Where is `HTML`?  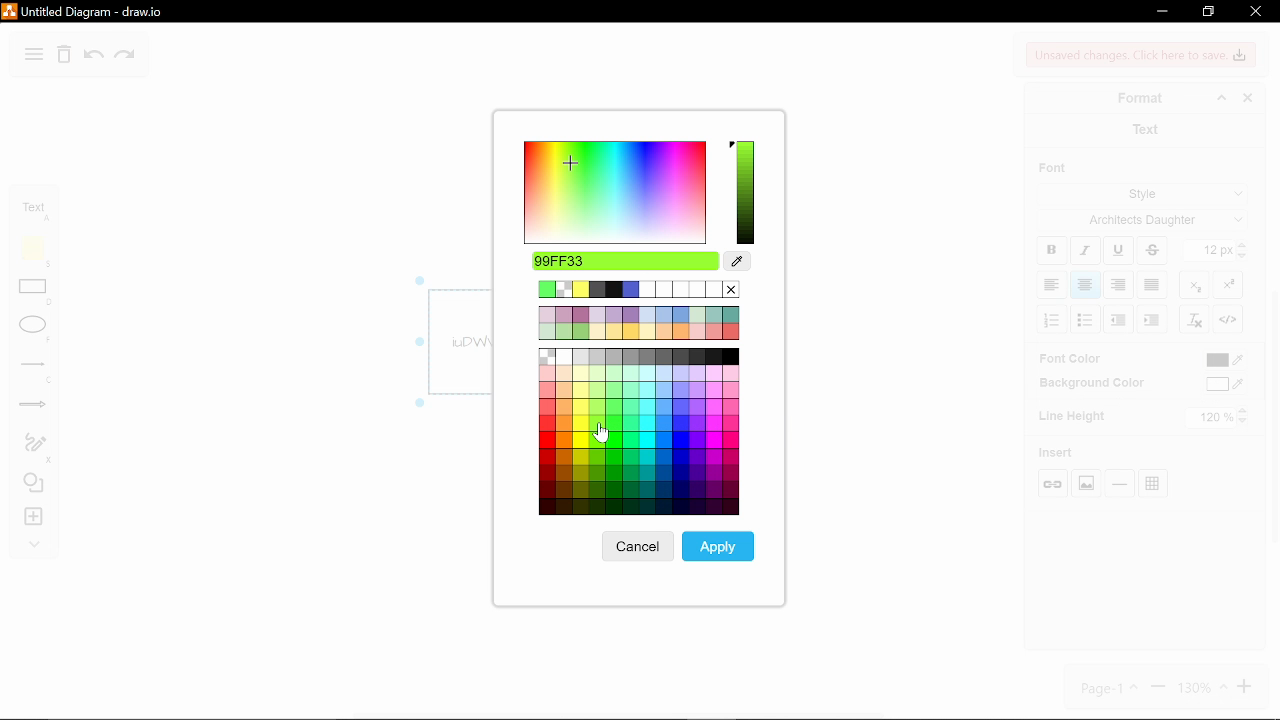
HTML is located at coordinates (1229, 319).